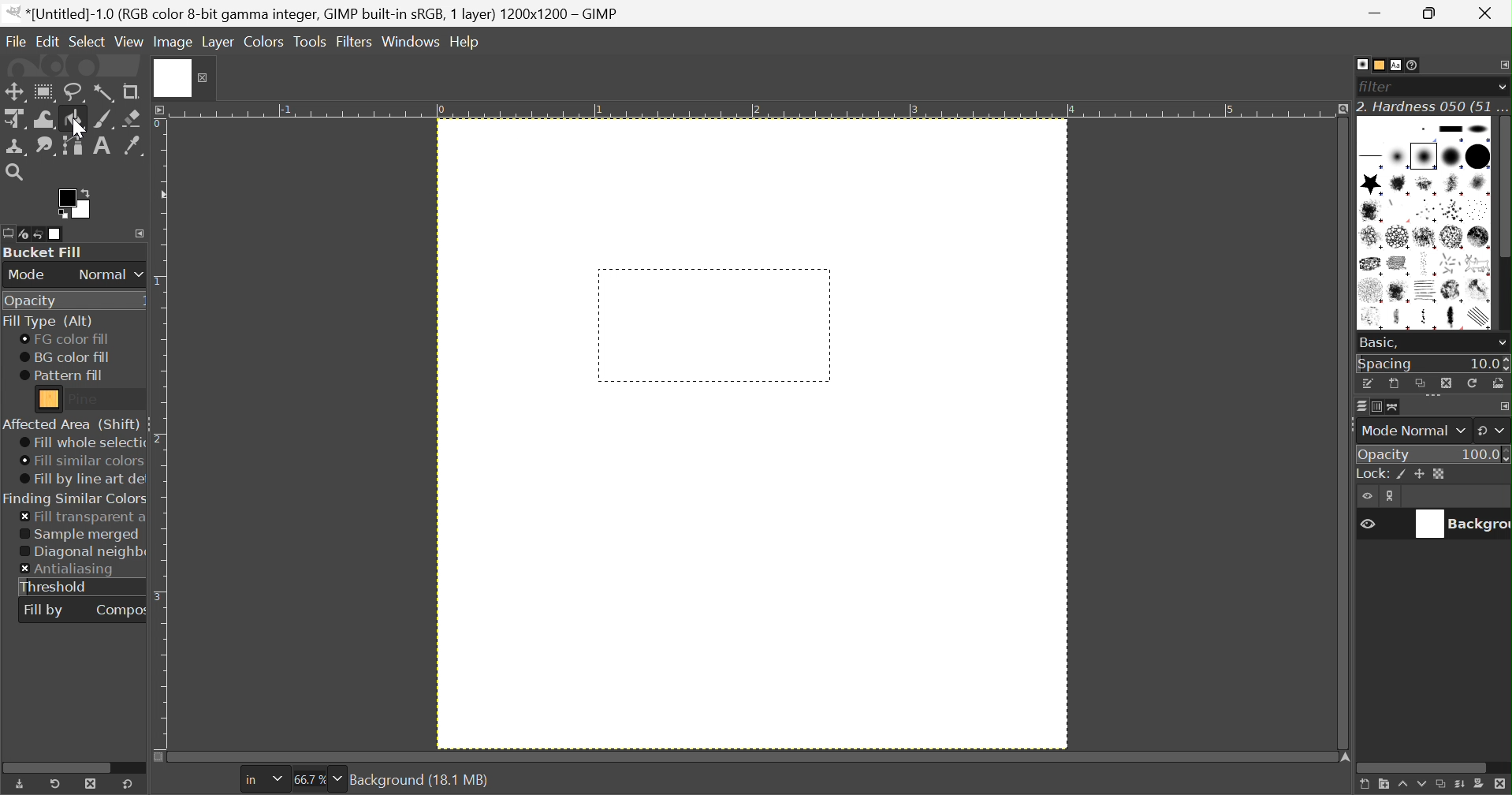  I want to click on Fill by, so click(43, 611).